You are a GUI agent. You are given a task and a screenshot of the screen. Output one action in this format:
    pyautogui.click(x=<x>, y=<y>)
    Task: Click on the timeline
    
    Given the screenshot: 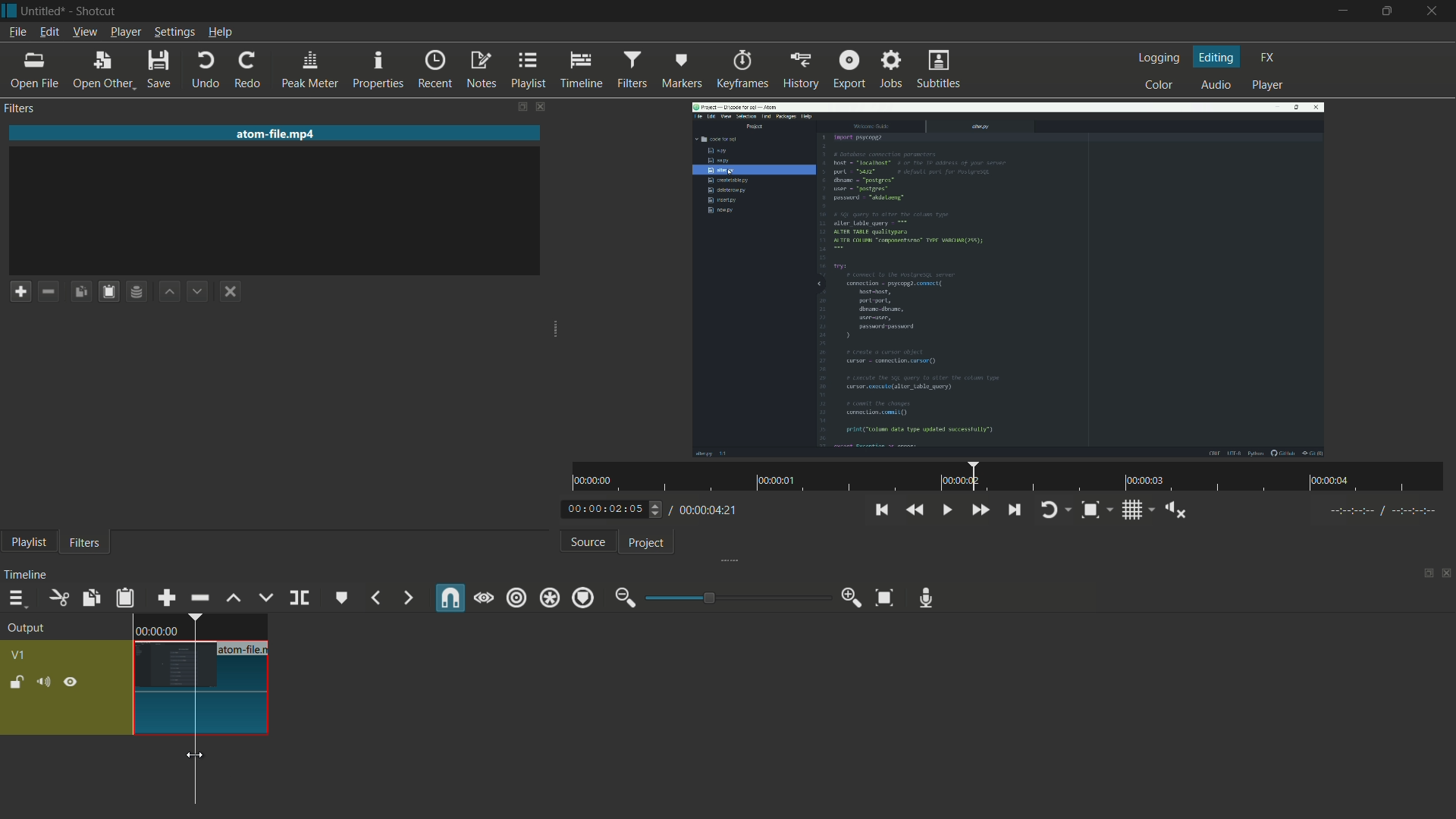 What is the action you would take?
    pyautogui.click(x=28, y=573)
    